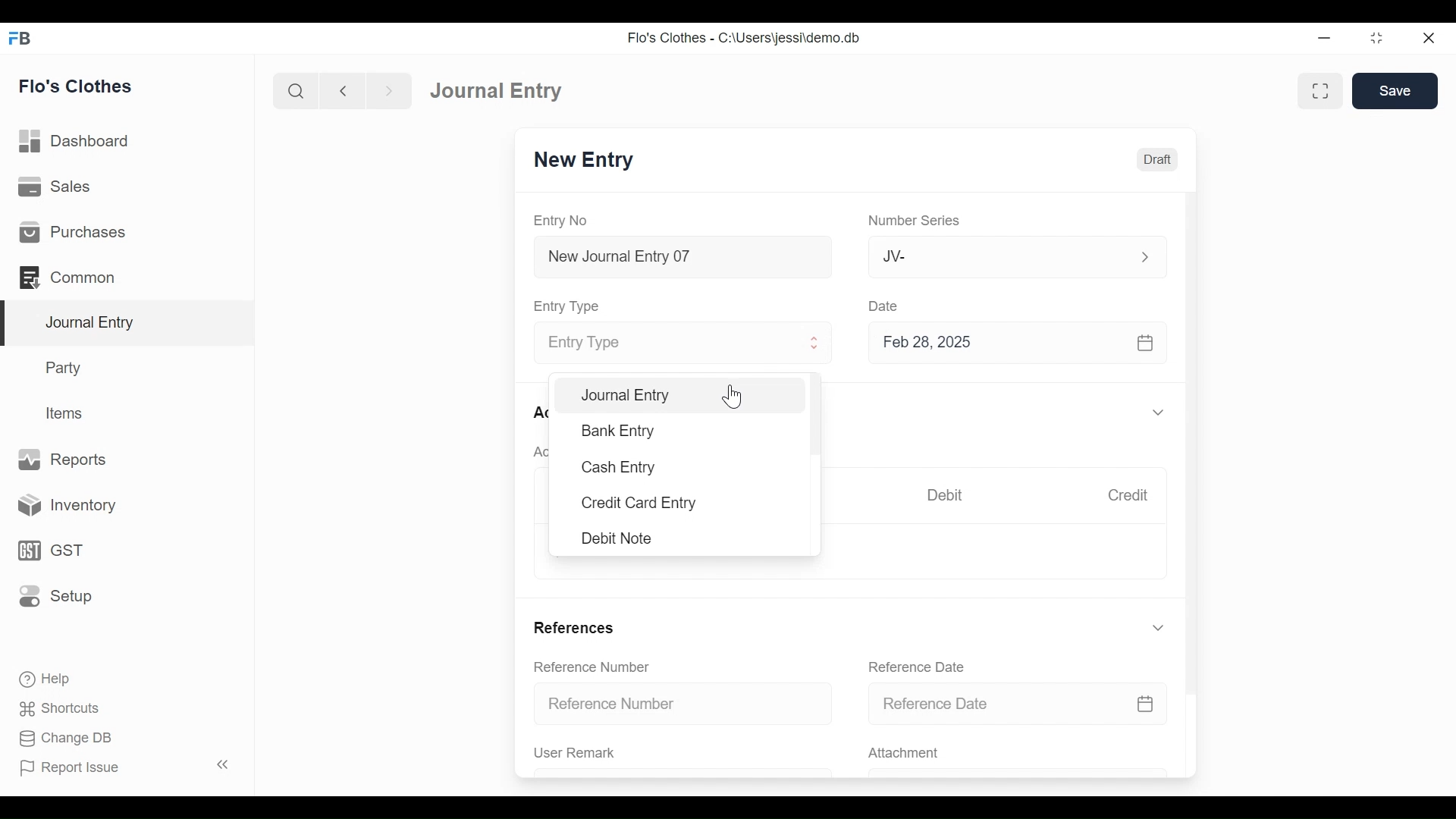 The width and height of the screenshot is (1456, 819). I want to click on Navigate Back, so click(342, 91).